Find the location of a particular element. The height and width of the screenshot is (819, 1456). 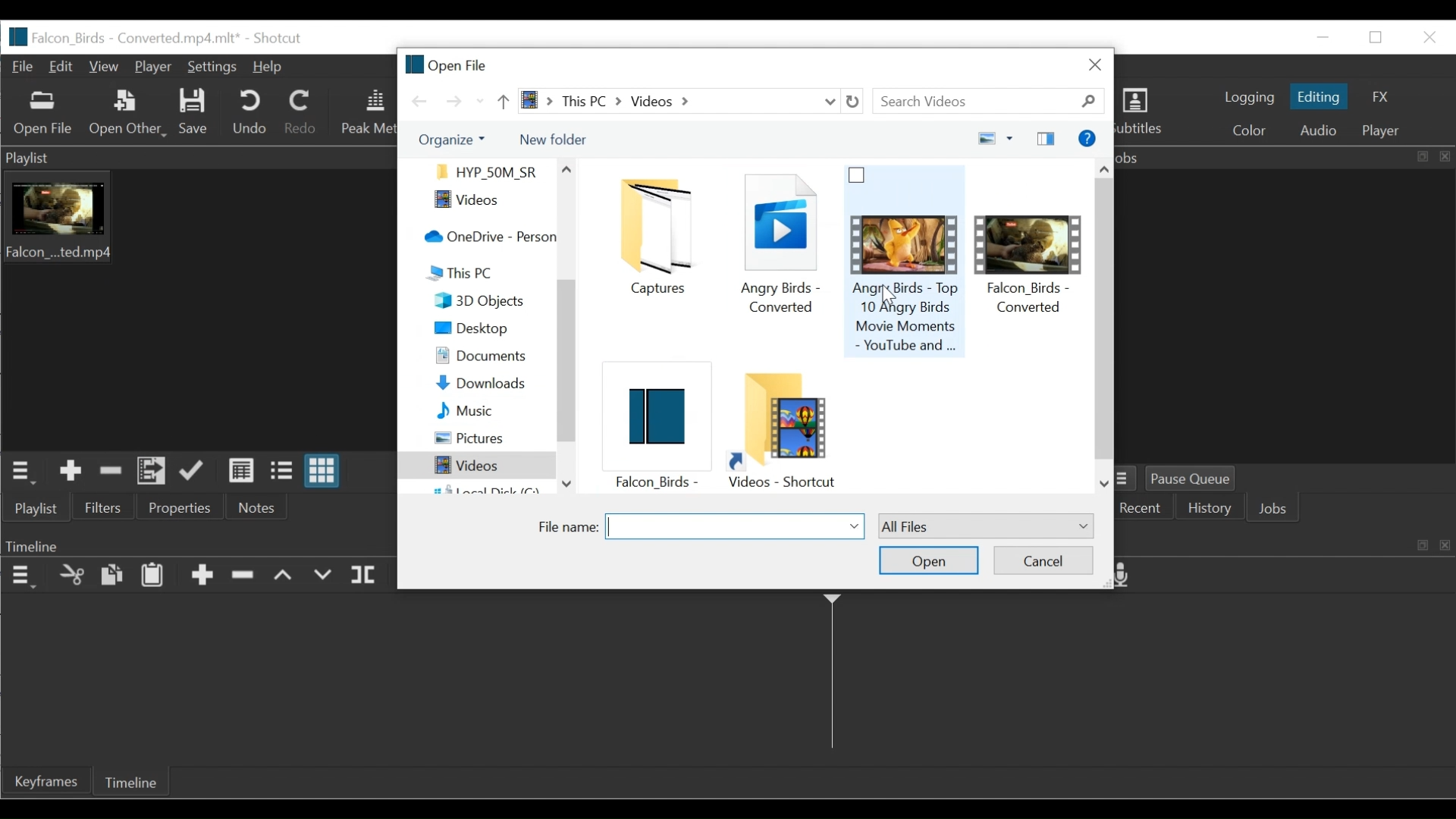

Select  is located at coordinates (986, 525).